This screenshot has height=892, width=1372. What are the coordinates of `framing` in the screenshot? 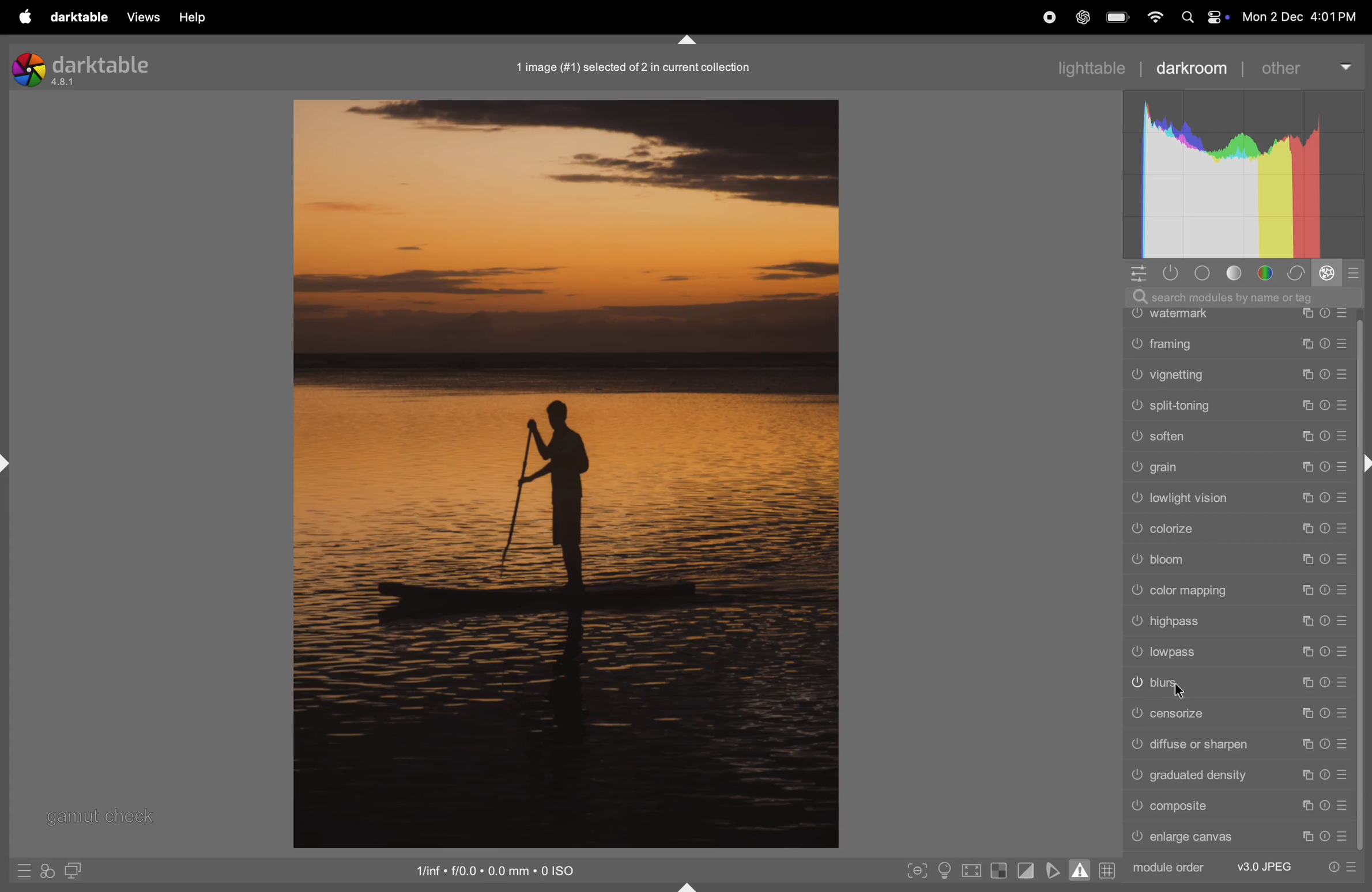 It's located at (1237, 342).